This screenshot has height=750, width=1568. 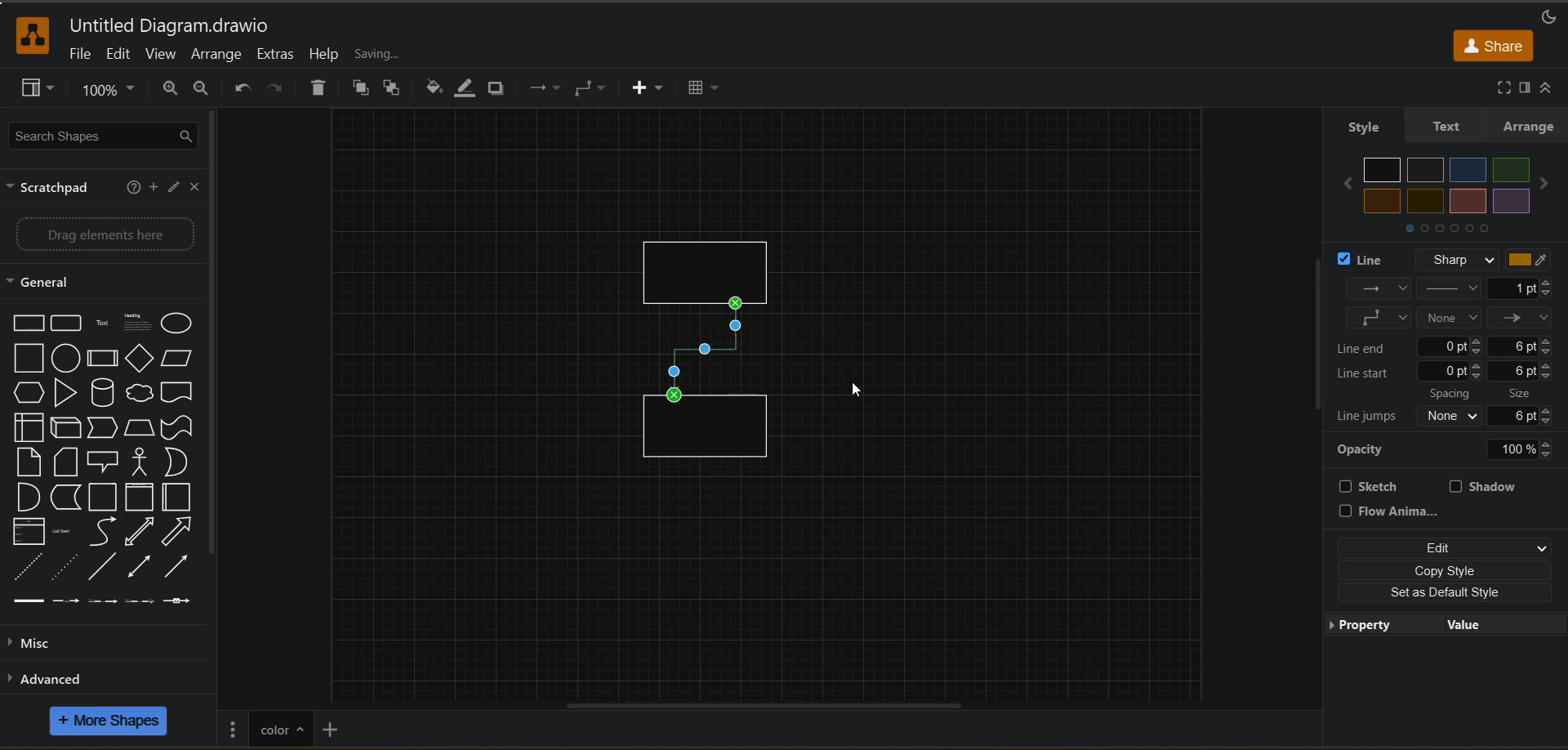 What do you see at coordinates (394, 90) in the screenshot?
I see `to back` at bounding box center [394, 90].